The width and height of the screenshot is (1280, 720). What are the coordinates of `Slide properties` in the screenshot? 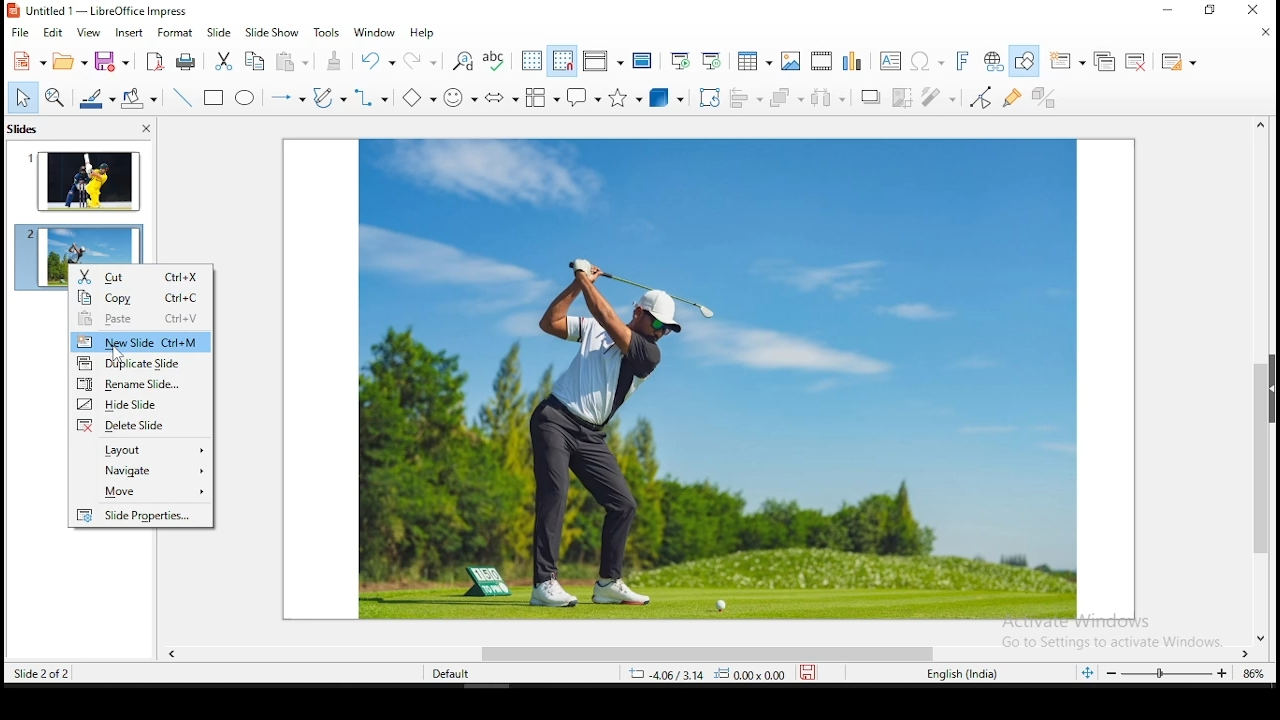 It's located at (141, 516).